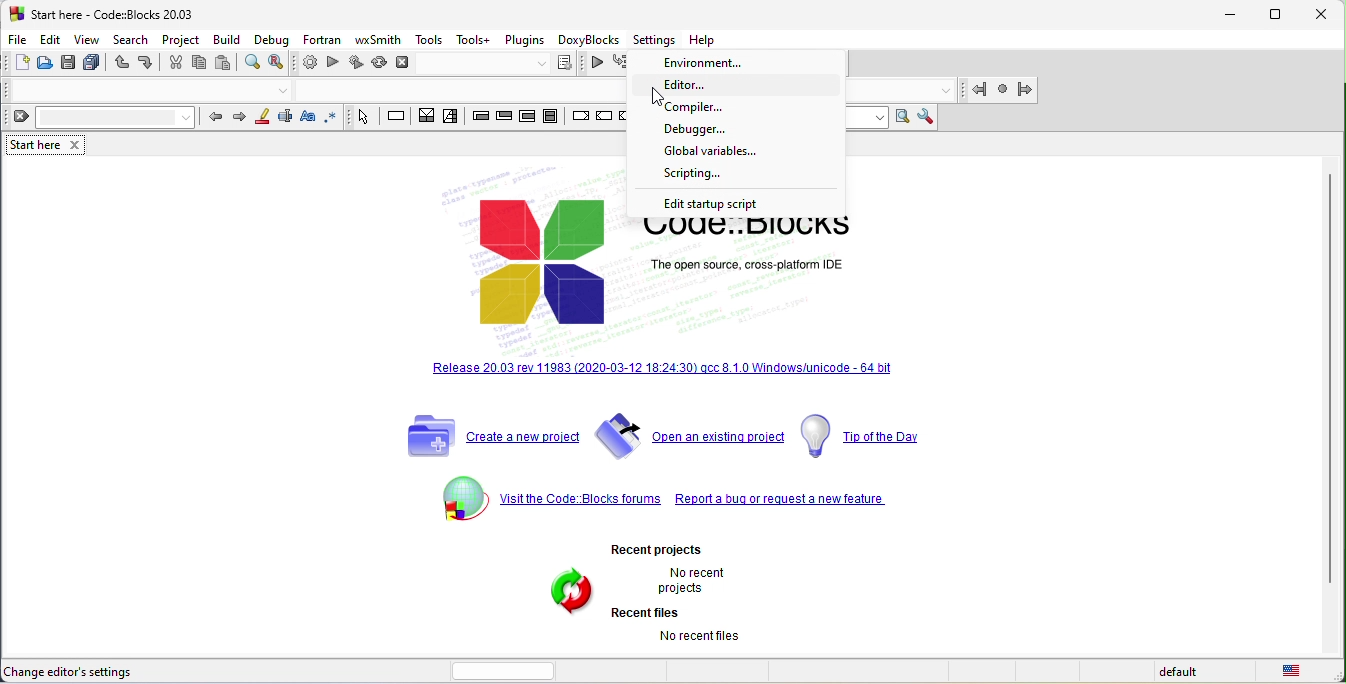 This screenshot has height=684, width=1346. I want to click on break, so click(581, 119).